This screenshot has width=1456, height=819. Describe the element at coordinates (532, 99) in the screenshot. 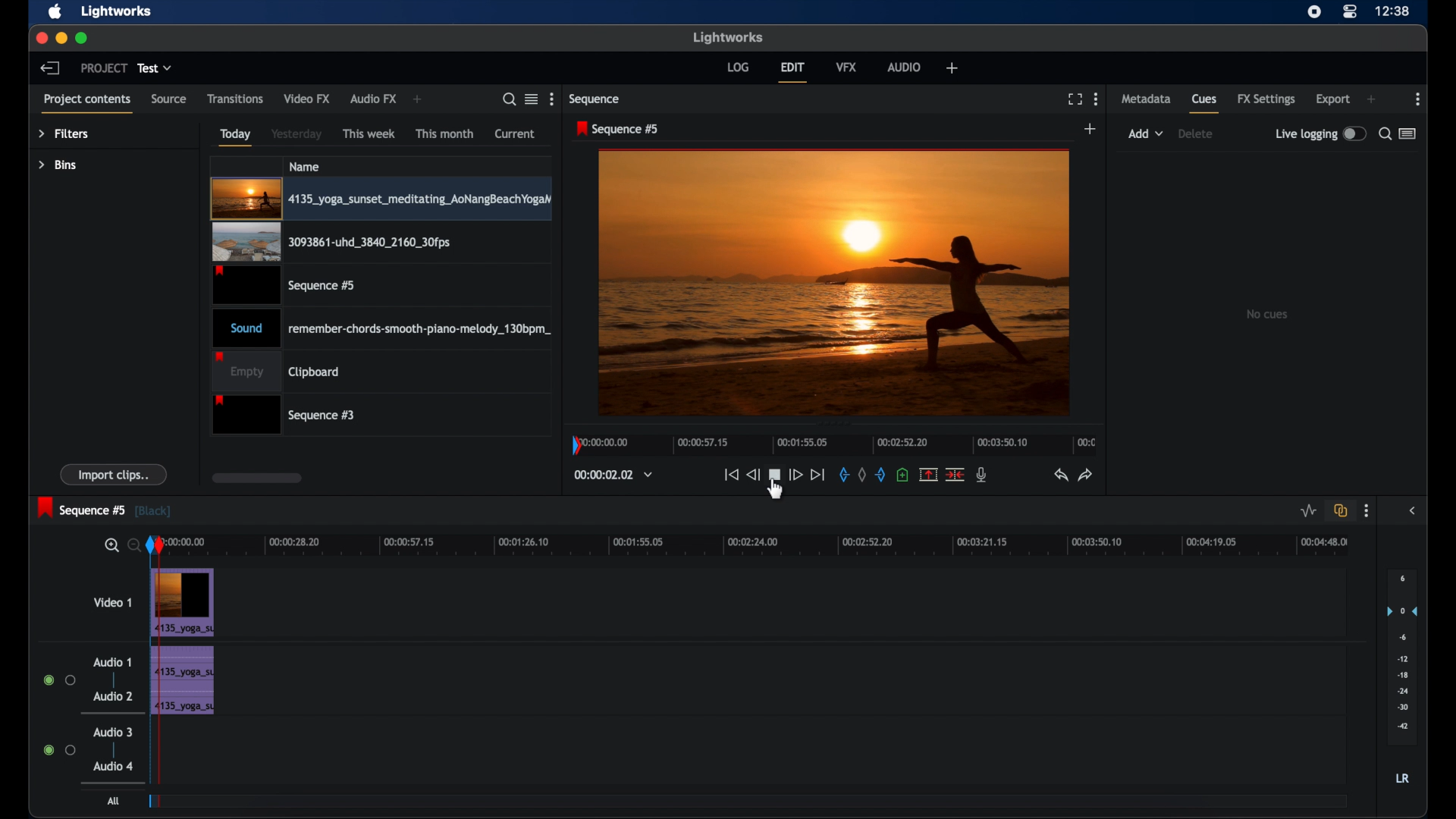

I see `toggle between listened tile view` at that location.